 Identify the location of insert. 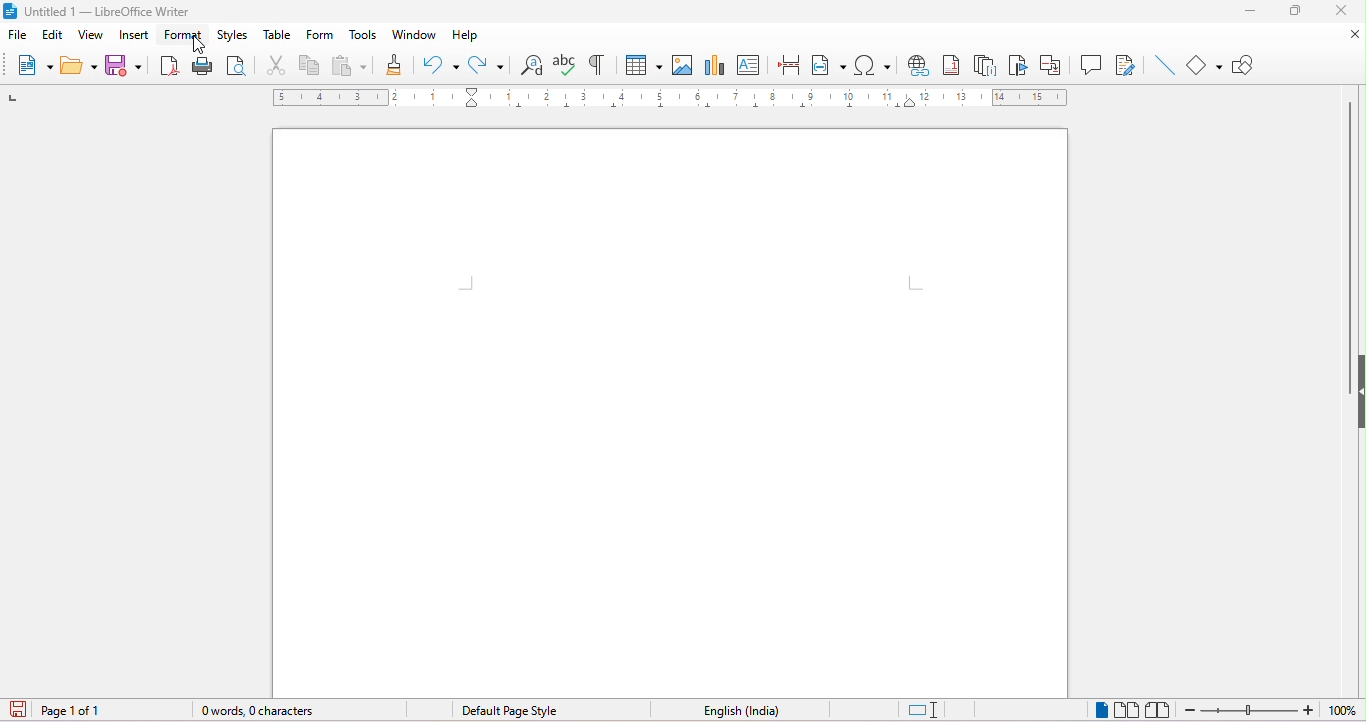
(136, 37).